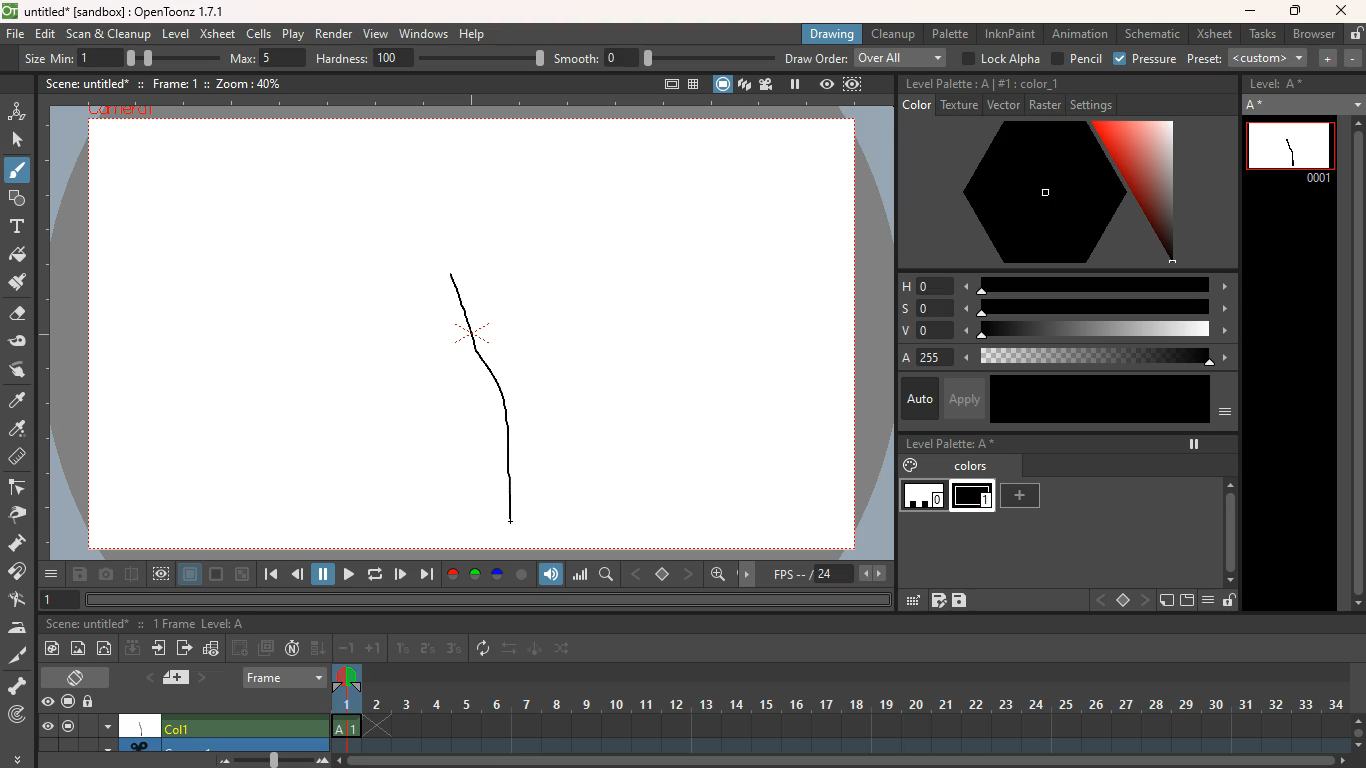  What do you see at coordinates (318, 649) in the screenshot?
I see `down` at bounding box center [318, 649].